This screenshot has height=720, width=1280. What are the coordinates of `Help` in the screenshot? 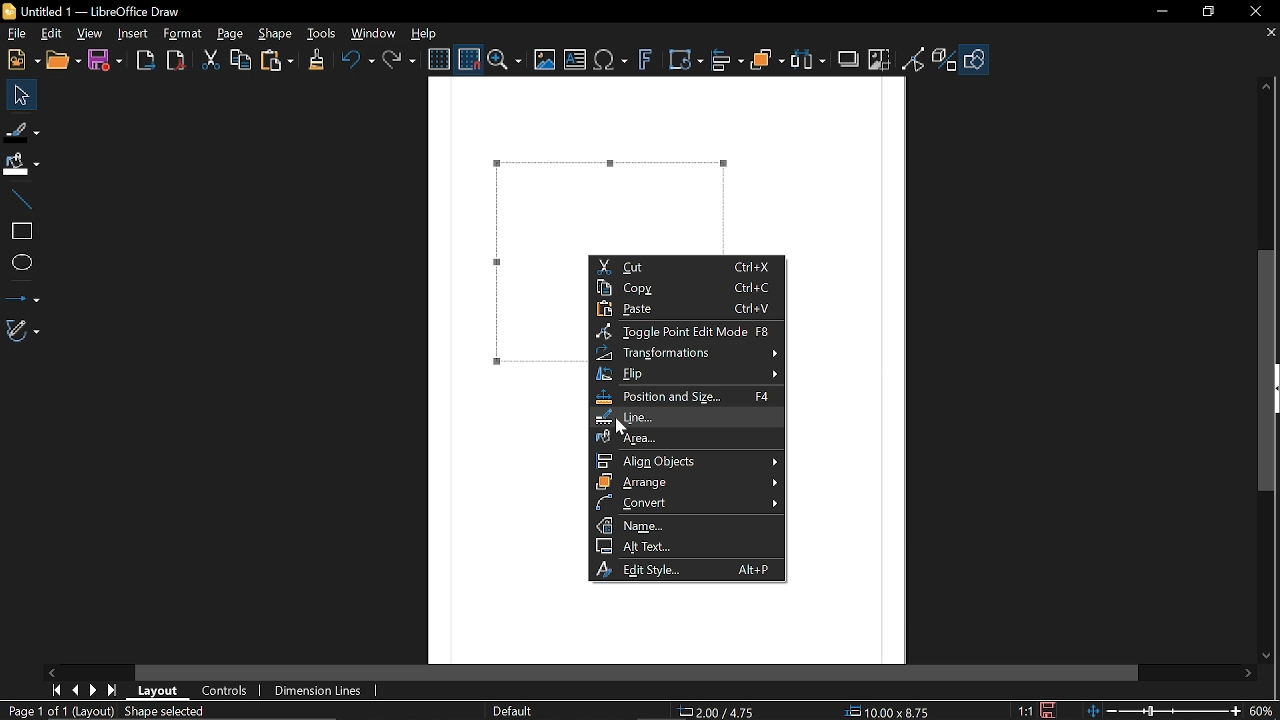 It's located at (425, 33).